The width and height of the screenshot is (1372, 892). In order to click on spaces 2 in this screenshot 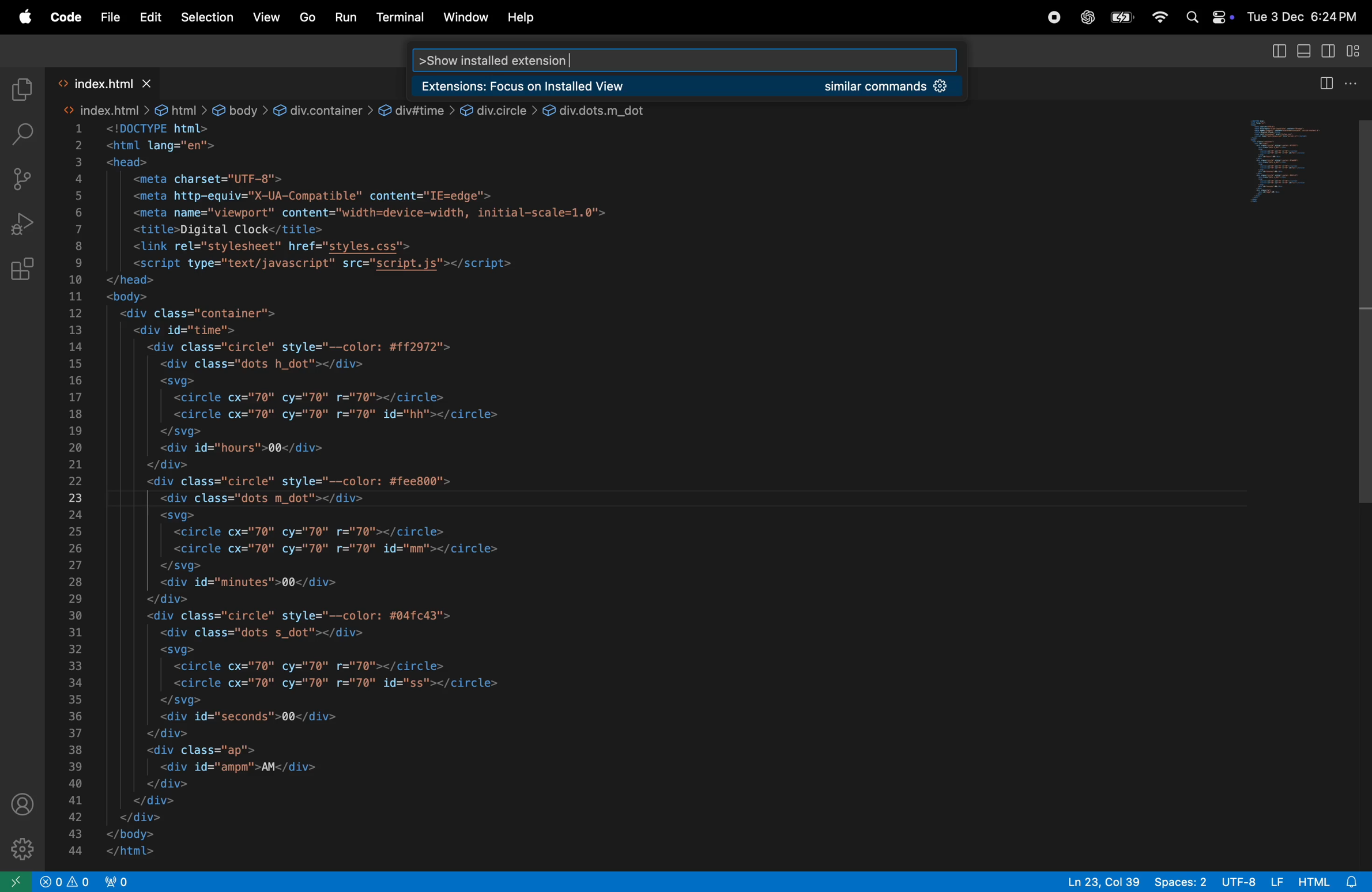, I will do `click(1183, 880)`.